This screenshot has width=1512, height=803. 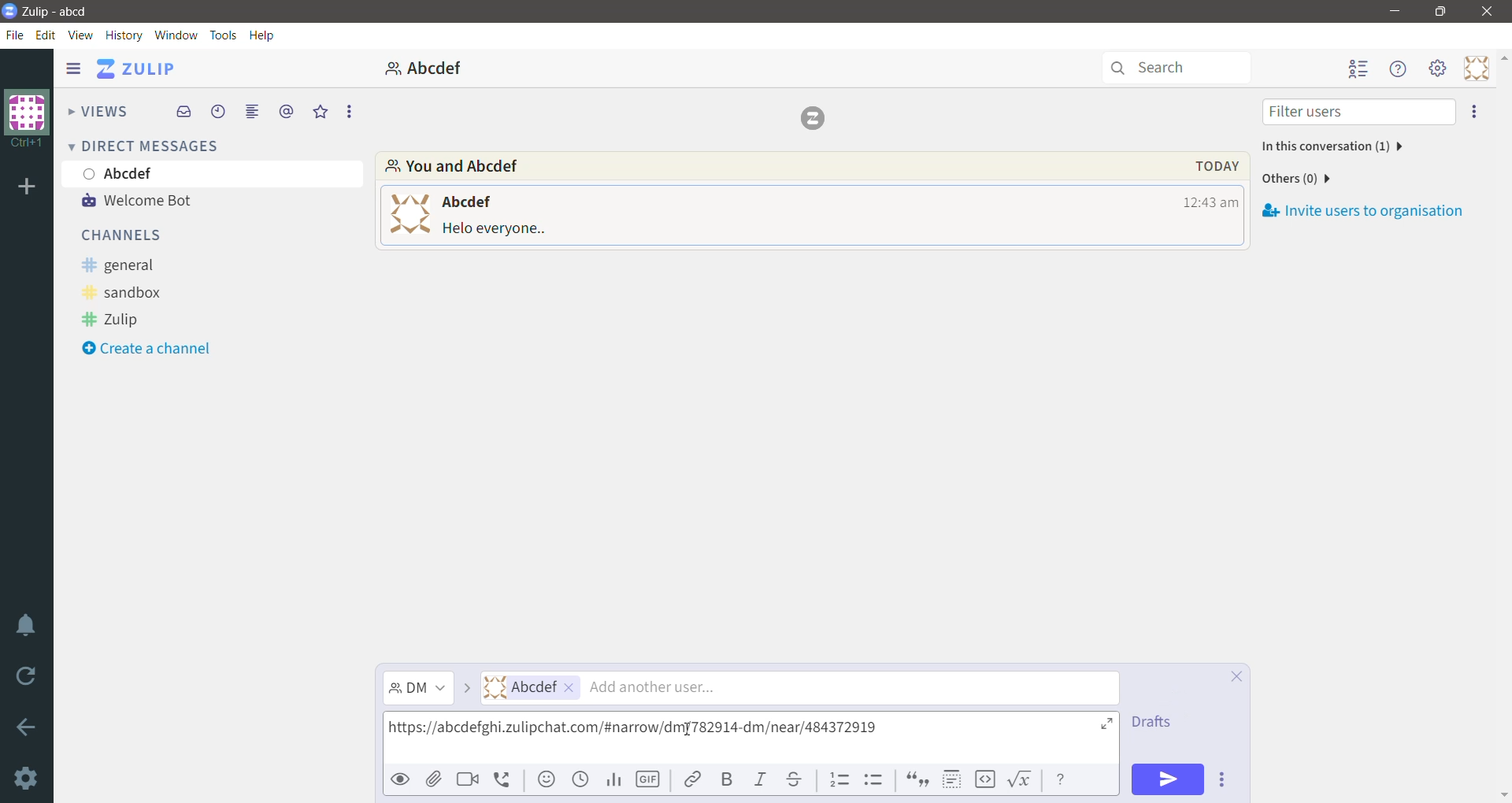 I want to click on Cancel compose and save draft, so click(x=1232, y=675).